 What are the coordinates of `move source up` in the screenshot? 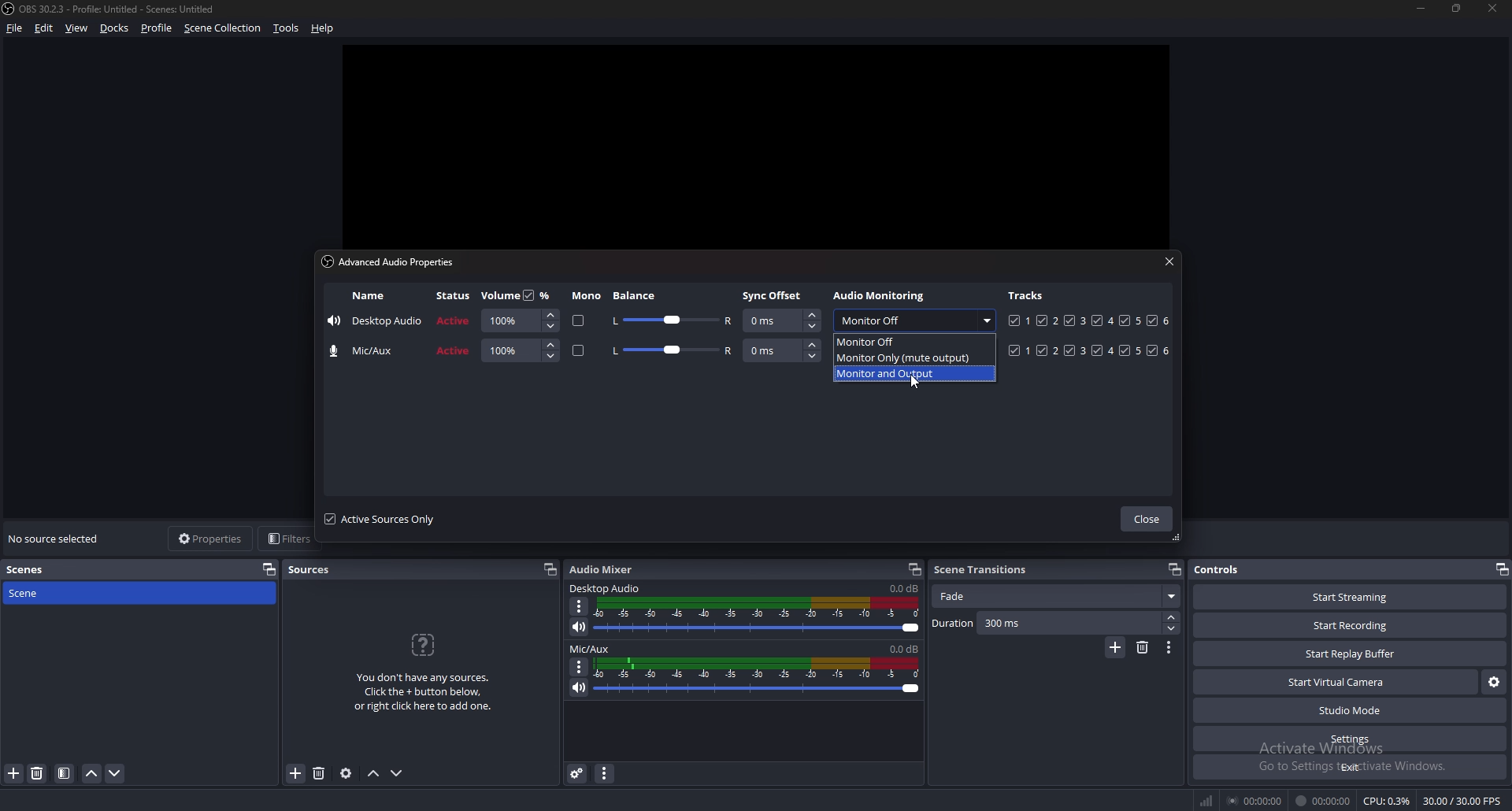 It's located at (376, 773).